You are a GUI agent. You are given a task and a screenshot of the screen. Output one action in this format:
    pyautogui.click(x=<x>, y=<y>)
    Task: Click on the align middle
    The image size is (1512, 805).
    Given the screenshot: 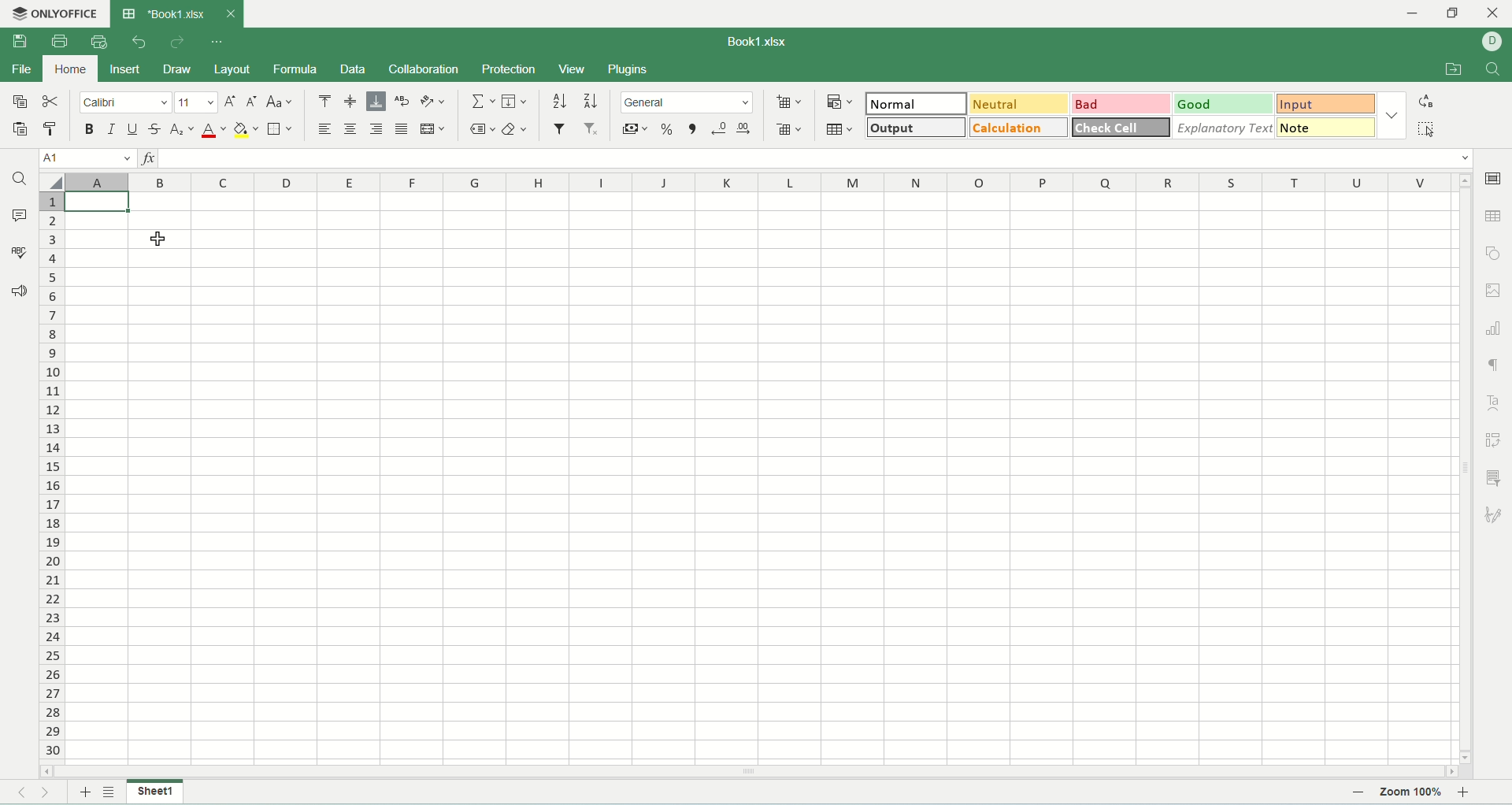 What is the action you would take?
    pyautogui.click(x=350, y=102)
    